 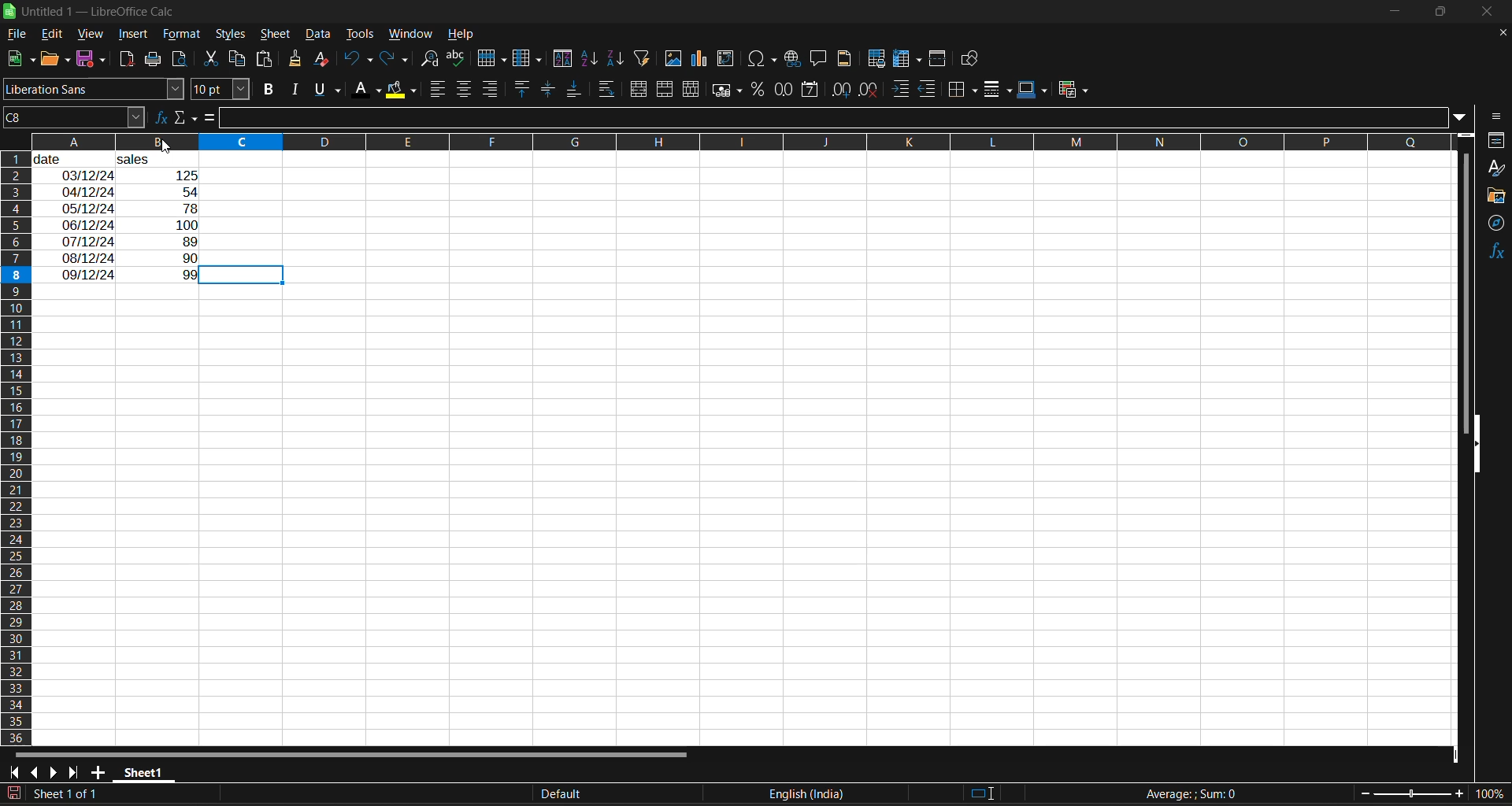 What do you see at coordinates (272, 89) in the screenshot?
I see `bold` at bounding box center [272, 89].